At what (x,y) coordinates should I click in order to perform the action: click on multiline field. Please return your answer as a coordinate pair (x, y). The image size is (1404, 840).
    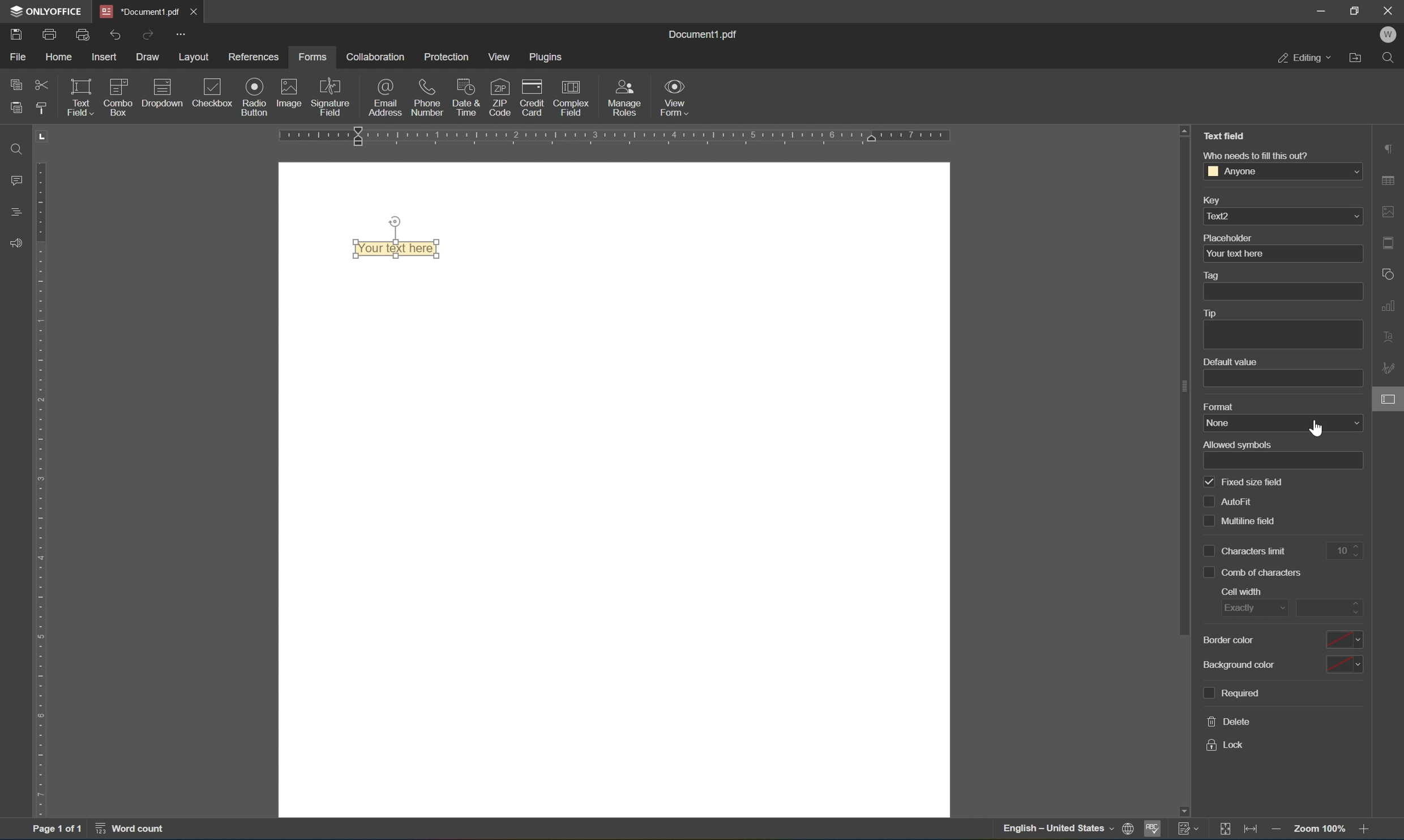
    Looking at the image, I should click on (1240, 520).